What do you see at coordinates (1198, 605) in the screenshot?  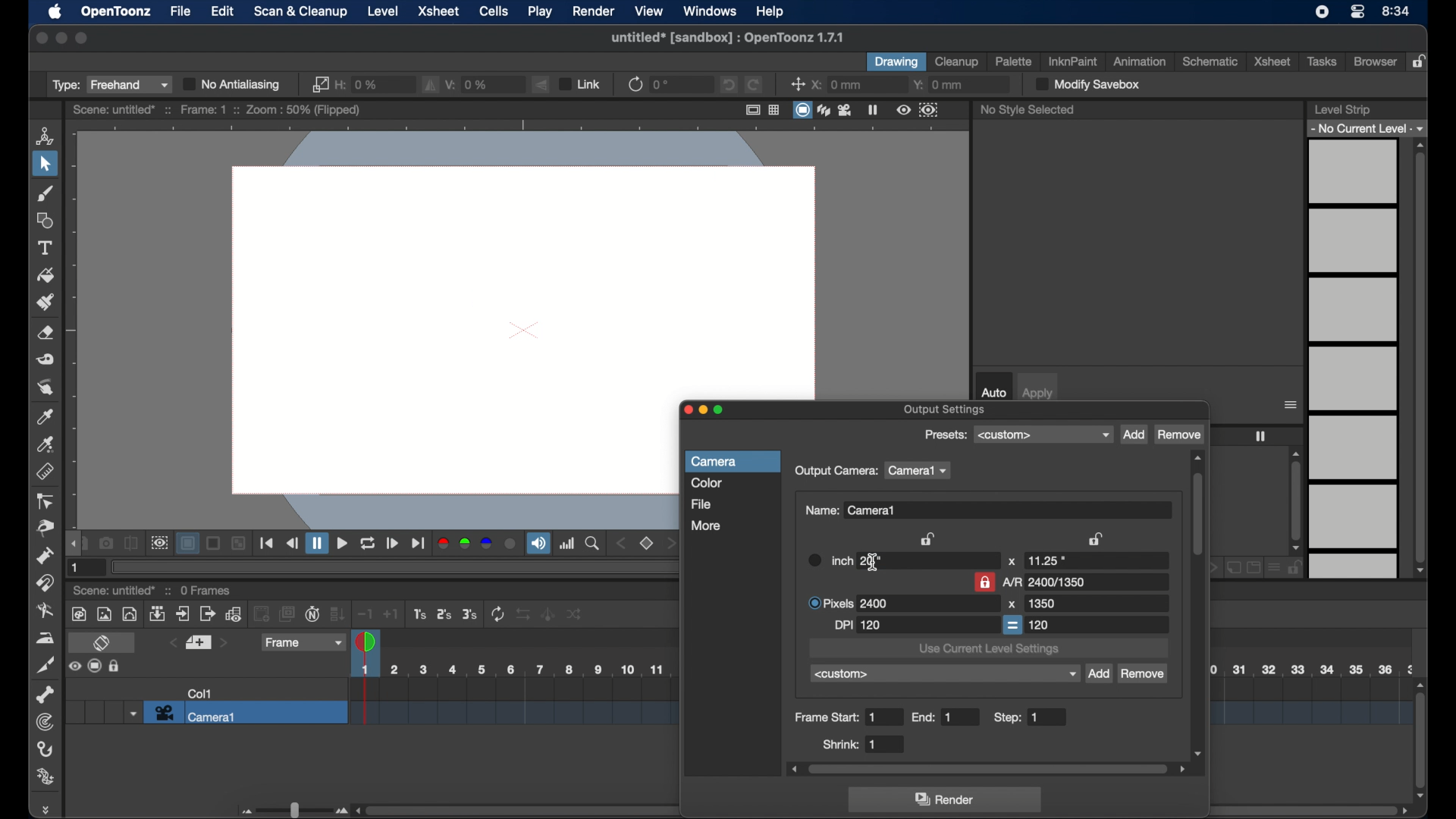 I see `scroll box` at bounding box center [1198, 605].